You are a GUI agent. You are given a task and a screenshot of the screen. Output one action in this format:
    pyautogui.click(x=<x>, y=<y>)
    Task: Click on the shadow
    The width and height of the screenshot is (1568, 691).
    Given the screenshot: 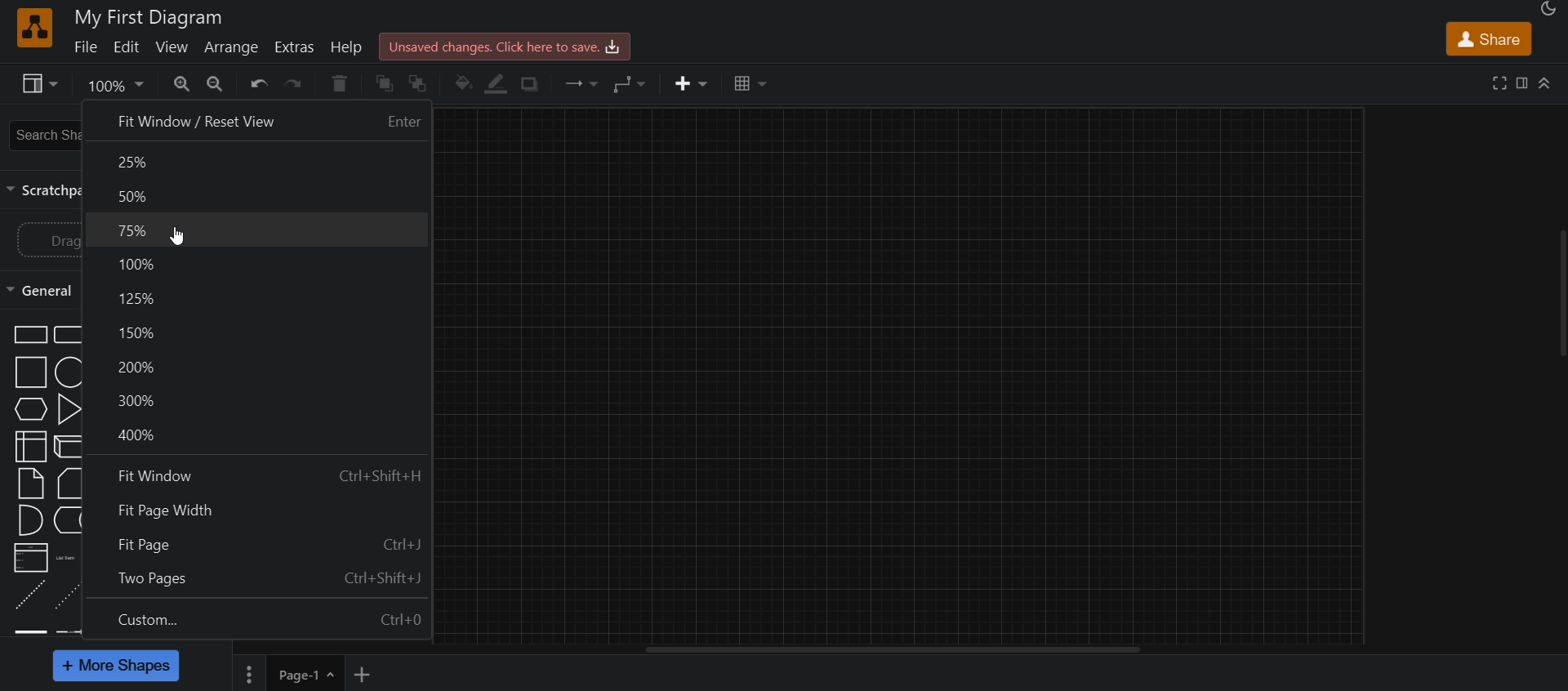 What is the action you would take?
    pyautogui.click(x=534, y=84)
    